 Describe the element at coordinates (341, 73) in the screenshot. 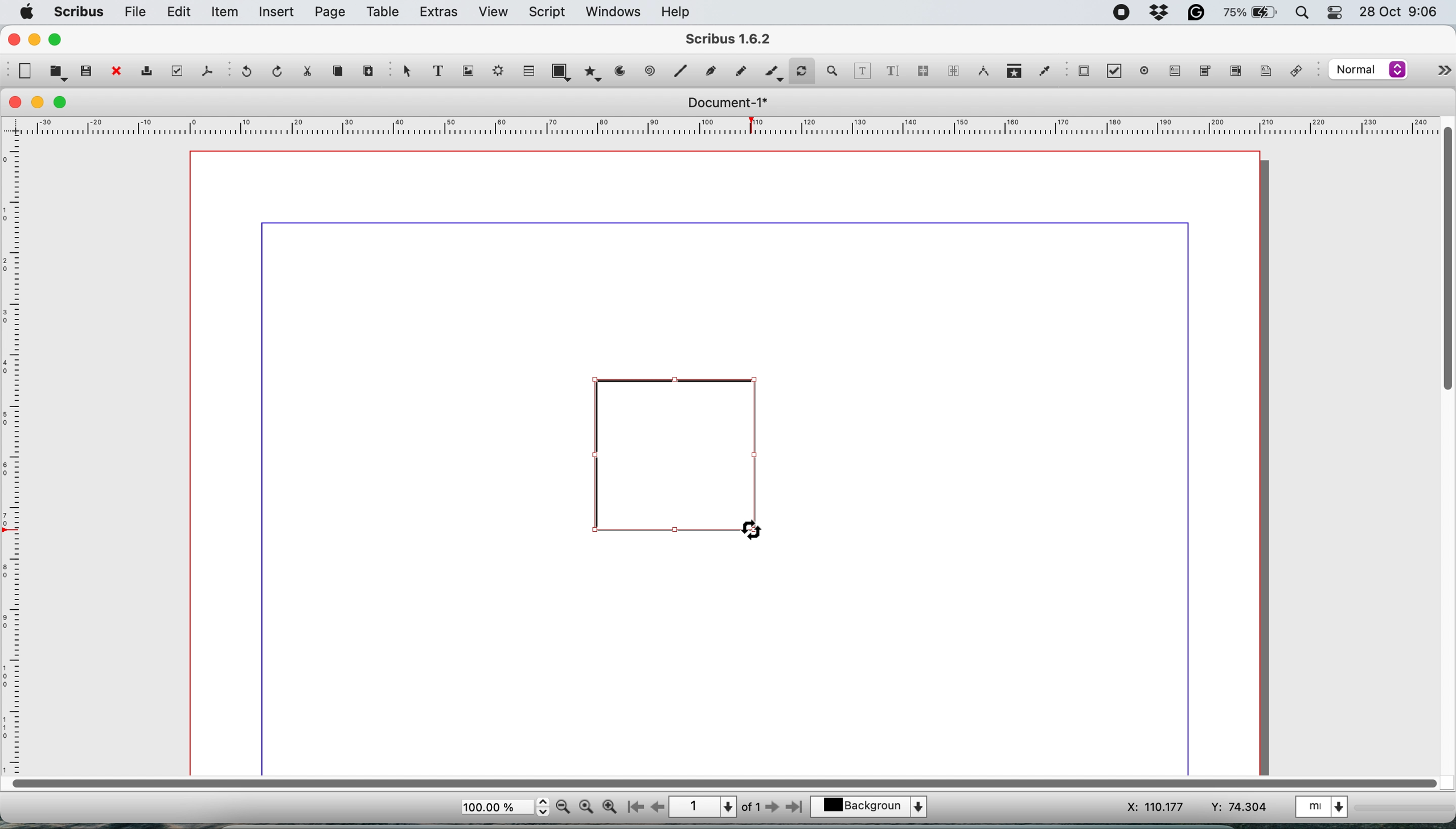

I see `copy` at that location.